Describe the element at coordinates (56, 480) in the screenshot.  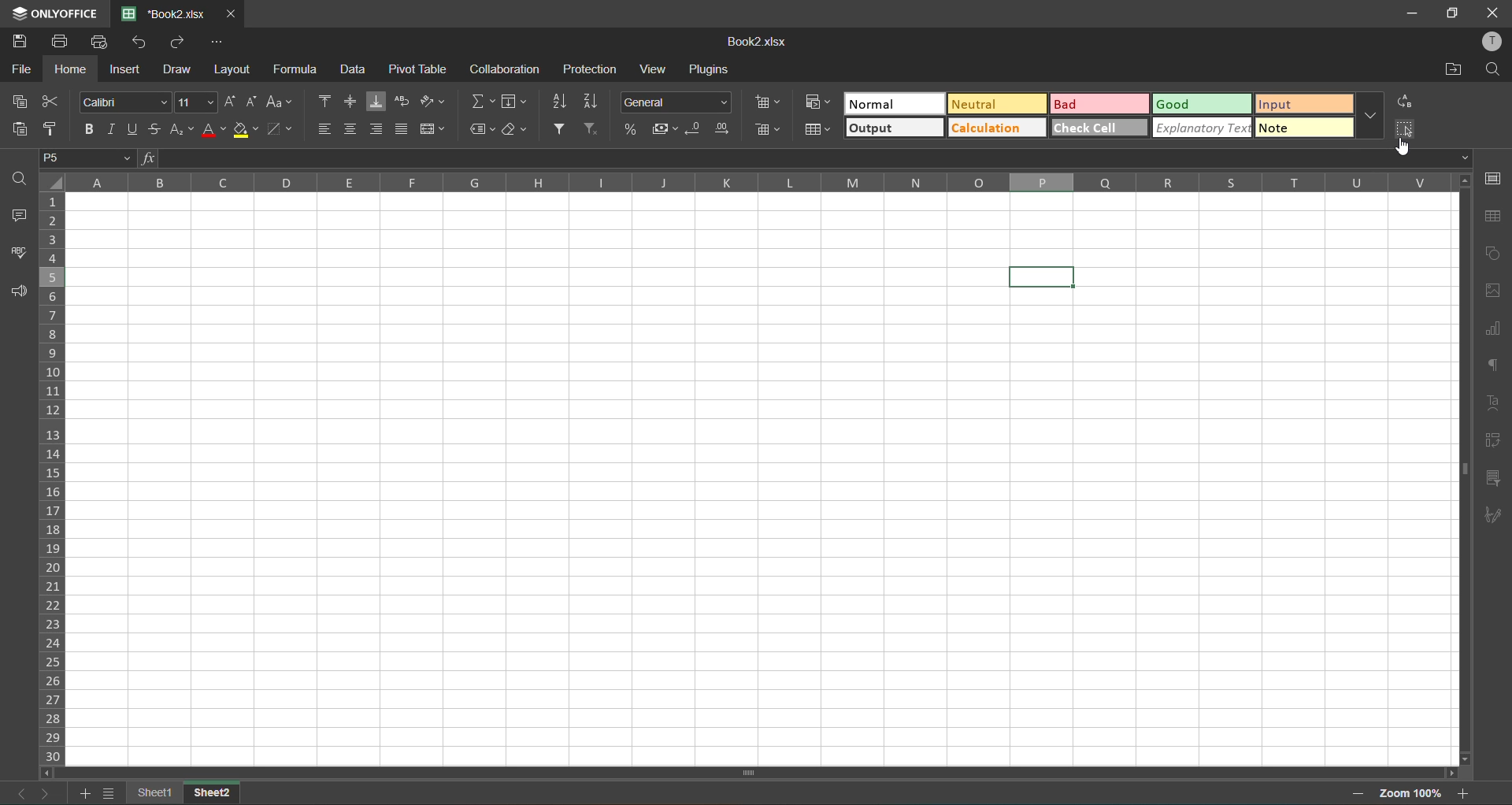
I see `row numbers` at that location.